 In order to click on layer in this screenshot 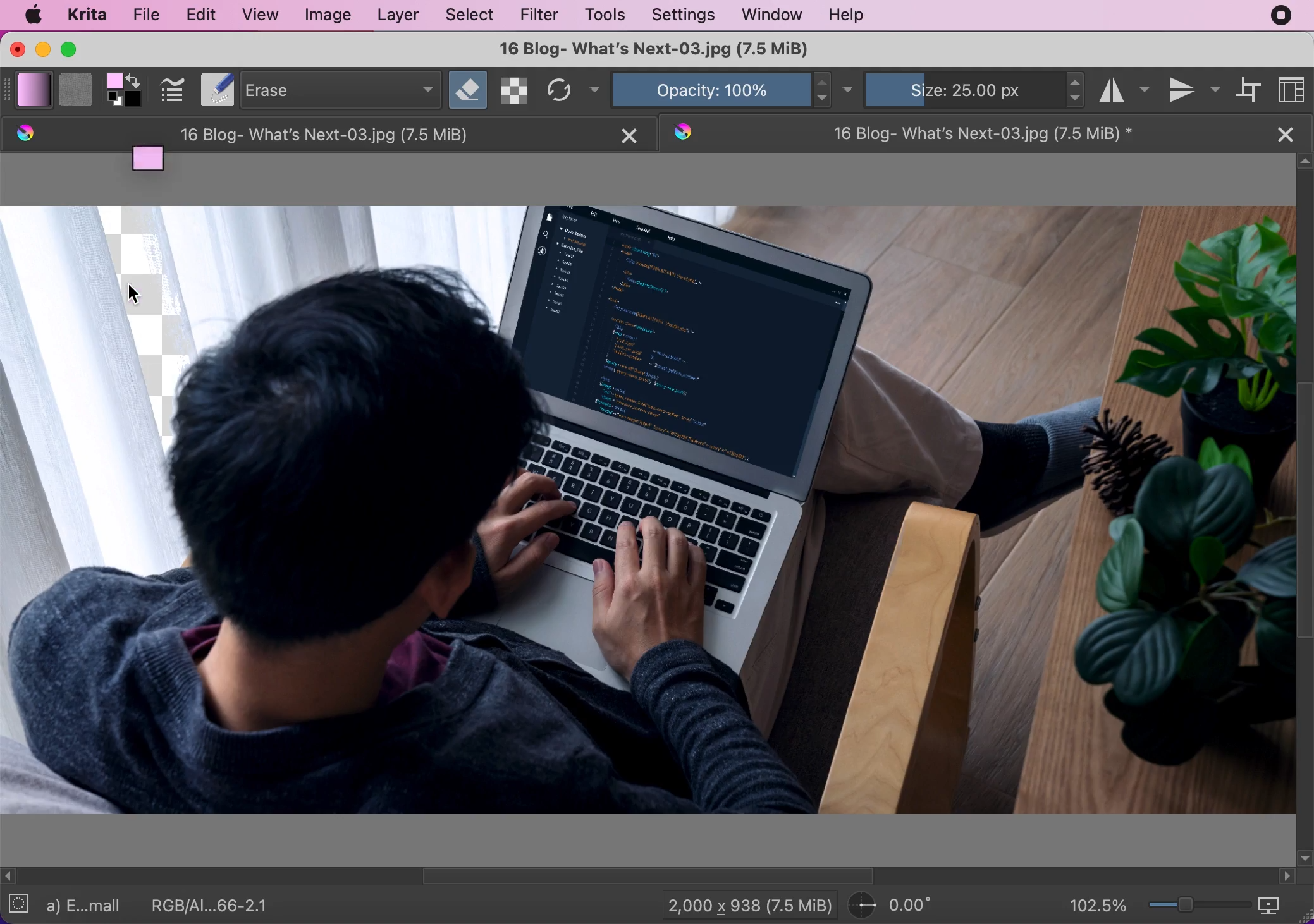, I will do `click(400, 16)`.